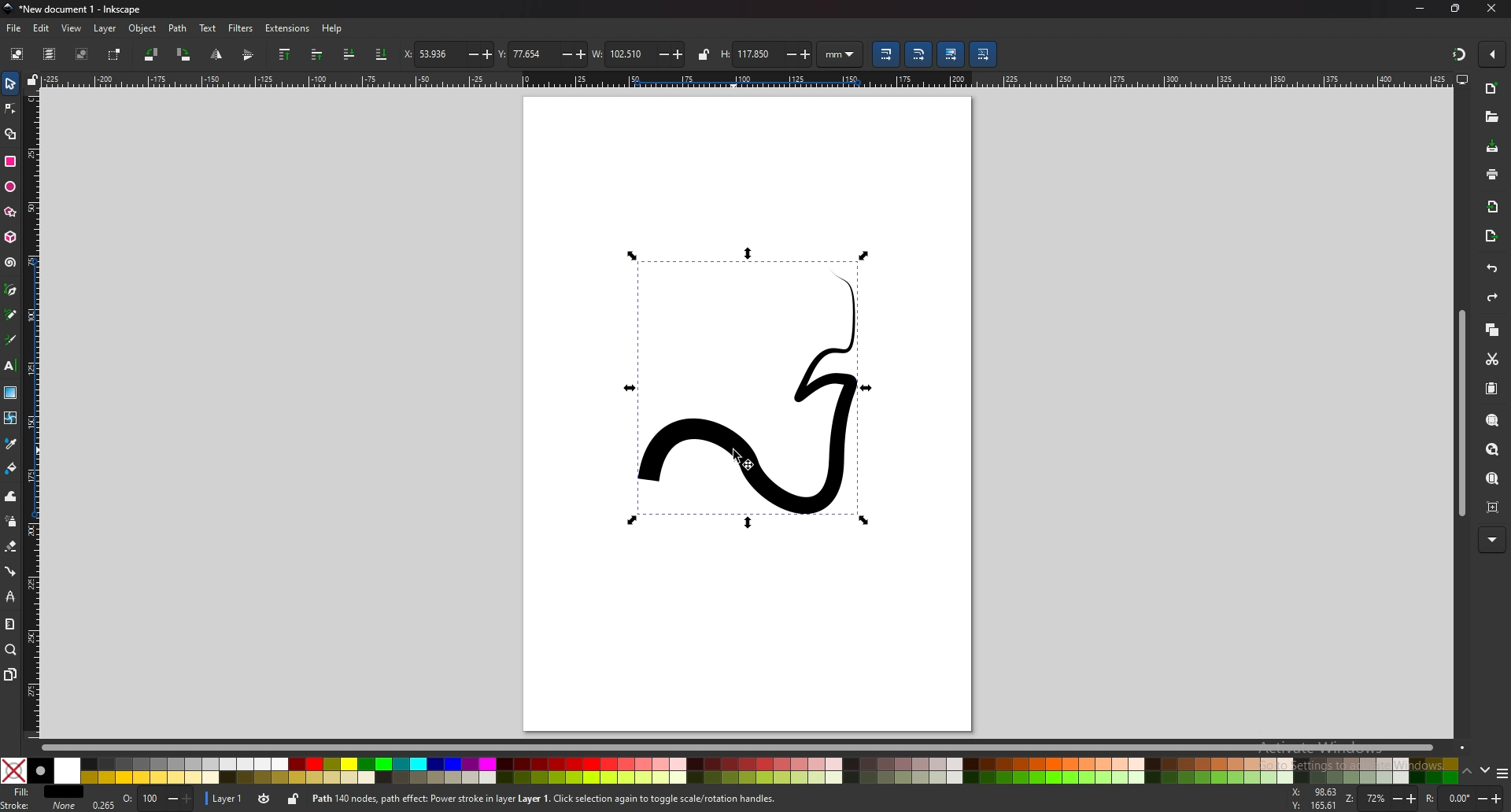 The width and height of the screenshot is (1511, 812). Describe the element at coordinates (11, 392) in the screenshot. I see `gradient` at that location.